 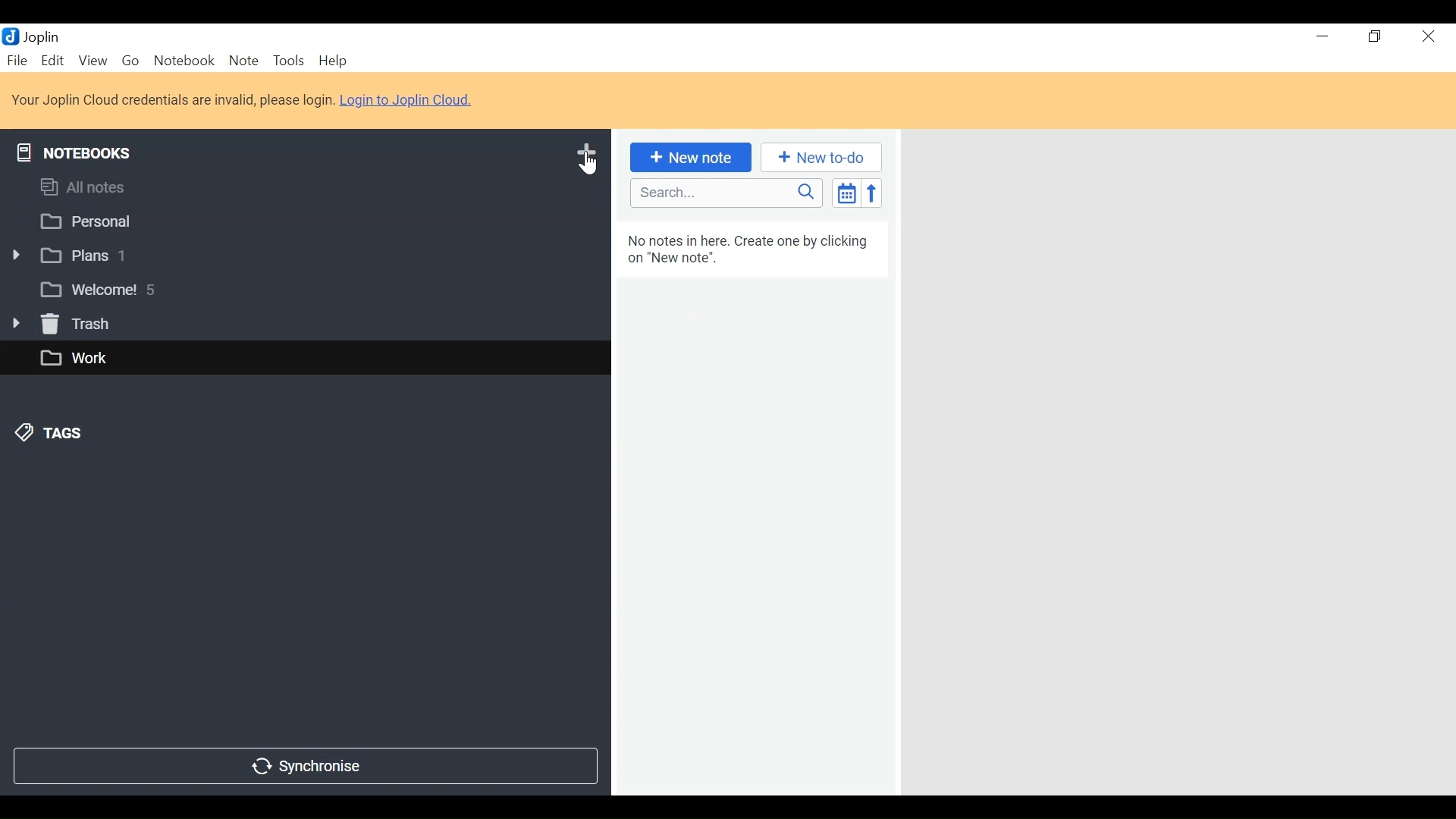 What do you see at coordinates (78, 154) in the screenshot?
I see `Notebooks` at bounding box center [78, 154].